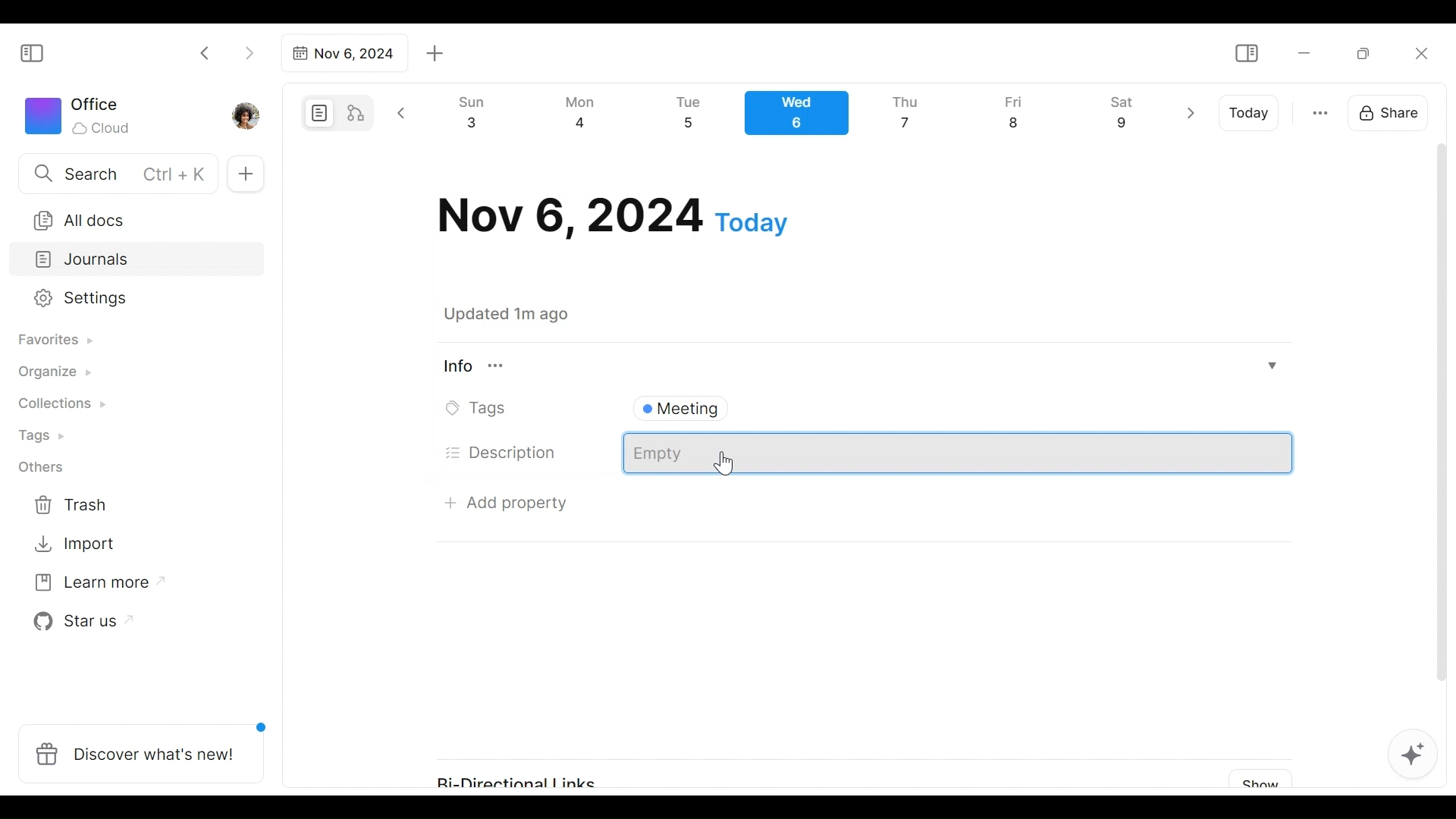  I want to click on Edgeless mode, so click(357, 112).